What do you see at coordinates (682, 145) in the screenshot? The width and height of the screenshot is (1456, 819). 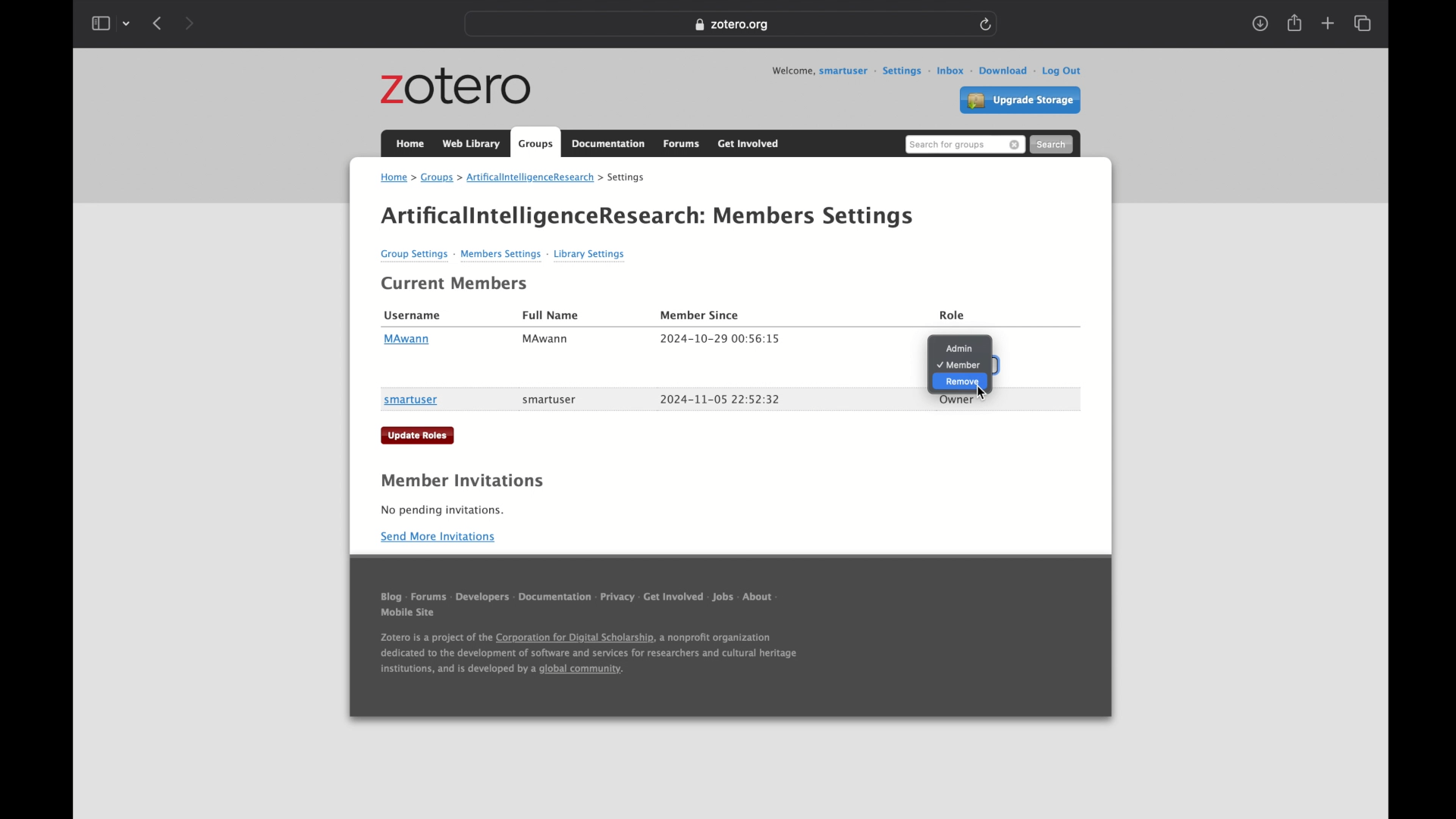 I see `forums` at bounding box center [682, 145].